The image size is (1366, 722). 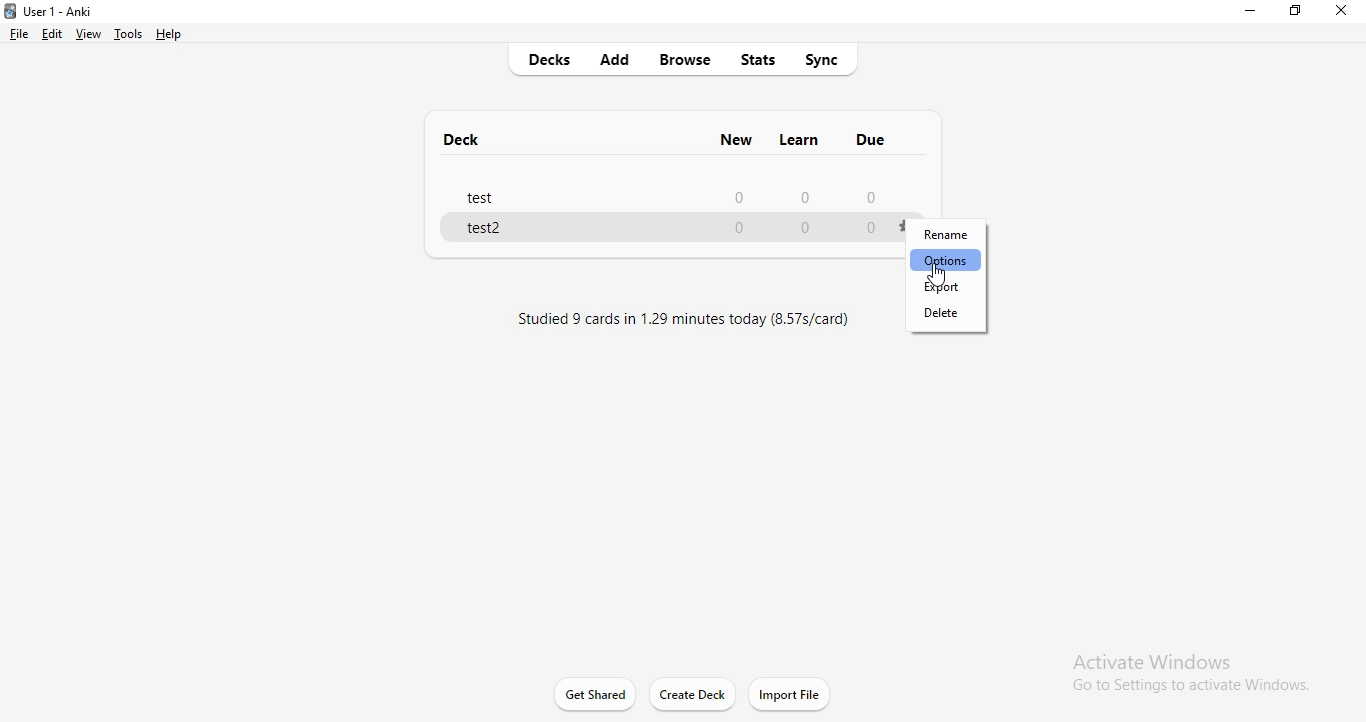 I want to click on get shared, so click(x=596, y=696).